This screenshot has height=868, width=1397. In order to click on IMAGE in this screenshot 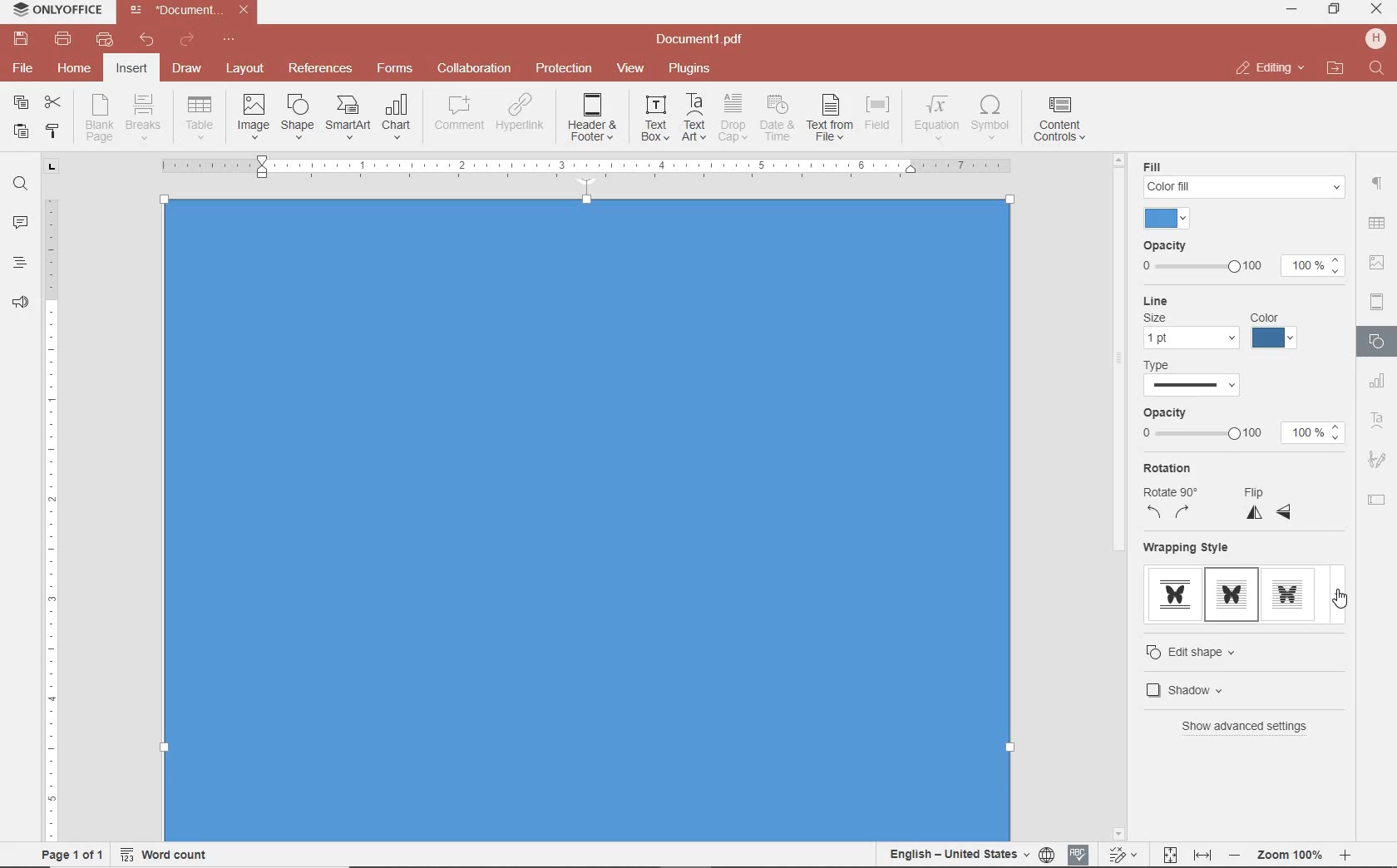, I will do `click(1378, 264)`.